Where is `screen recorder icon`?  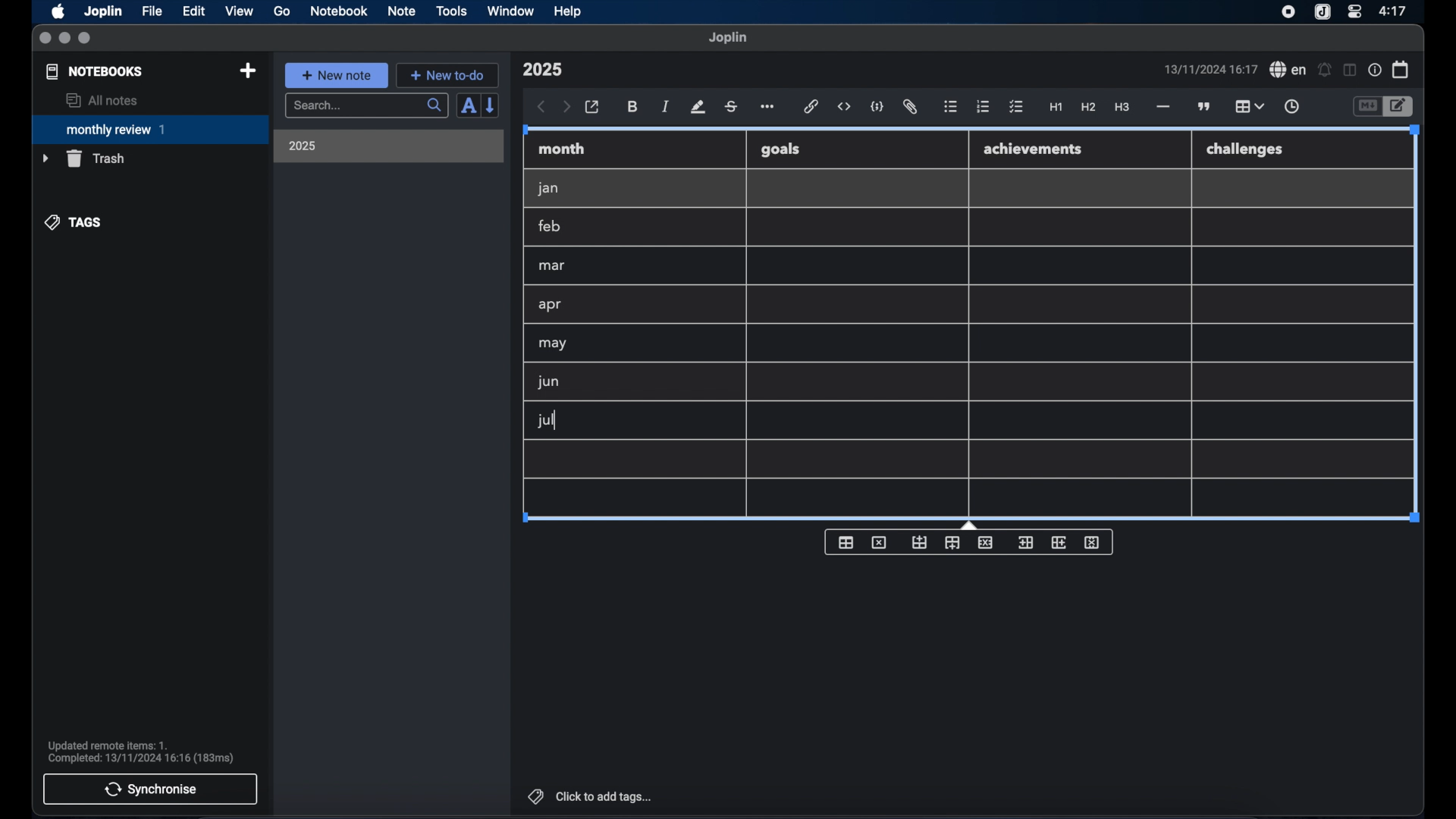
screen recorder icon is located at coordinates (1288, 12).